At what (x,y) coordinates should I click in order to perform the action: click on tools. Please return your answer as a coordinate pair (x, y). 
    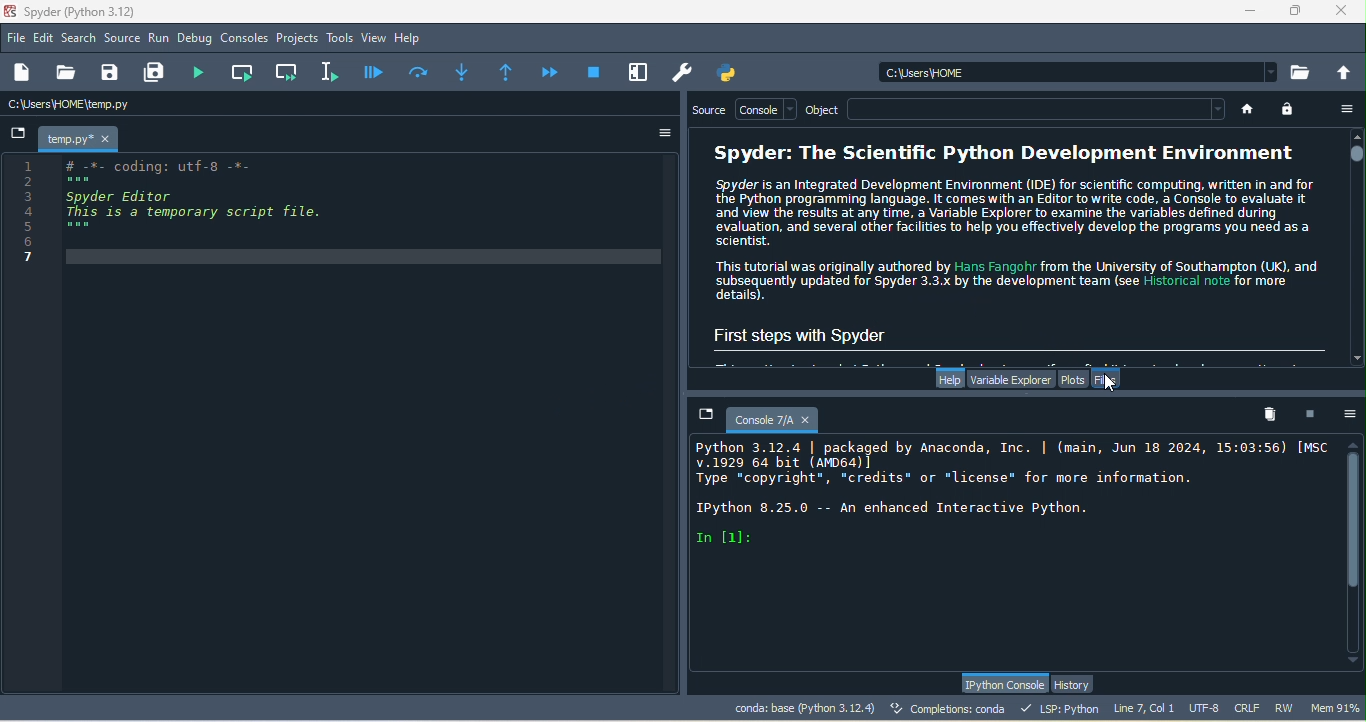
    Looking at the image, I should click on (340, 39).